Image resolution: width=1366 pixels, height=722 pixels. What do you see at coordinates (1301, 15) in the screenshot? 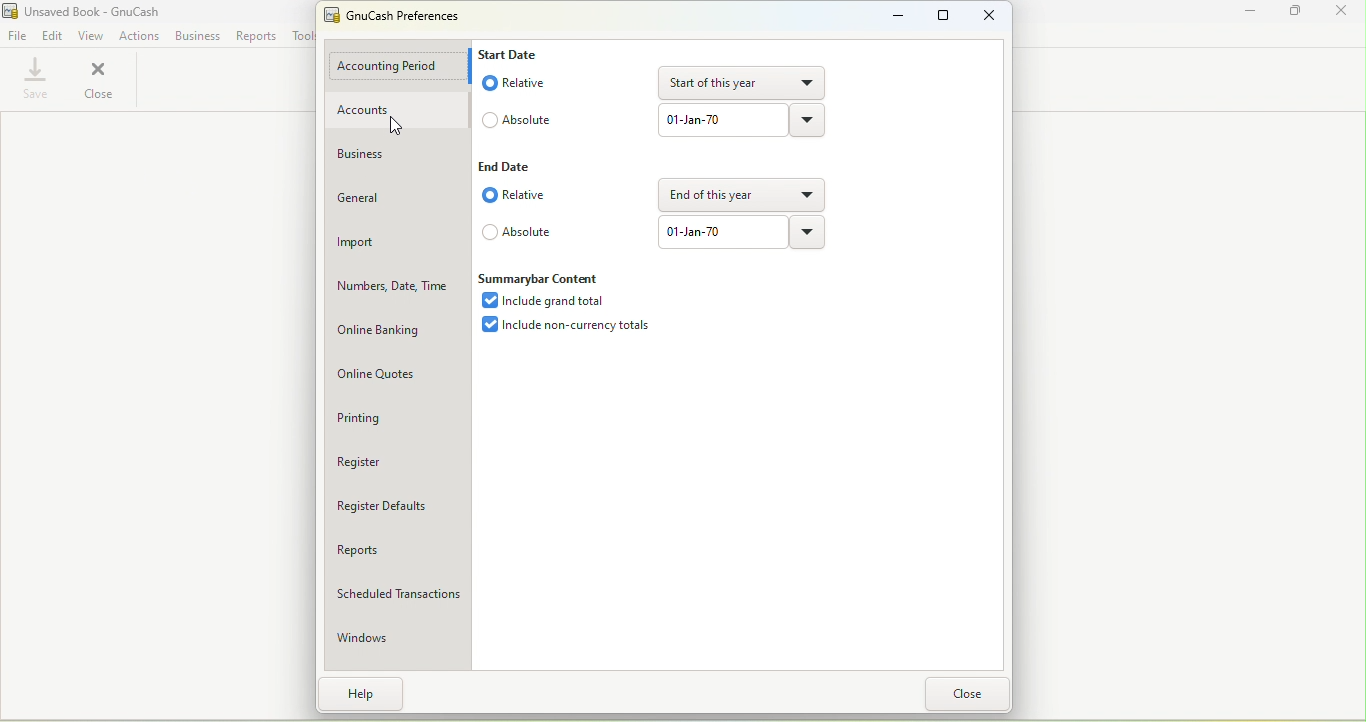
I see `Maximize` at bounding box center [1301, 15].